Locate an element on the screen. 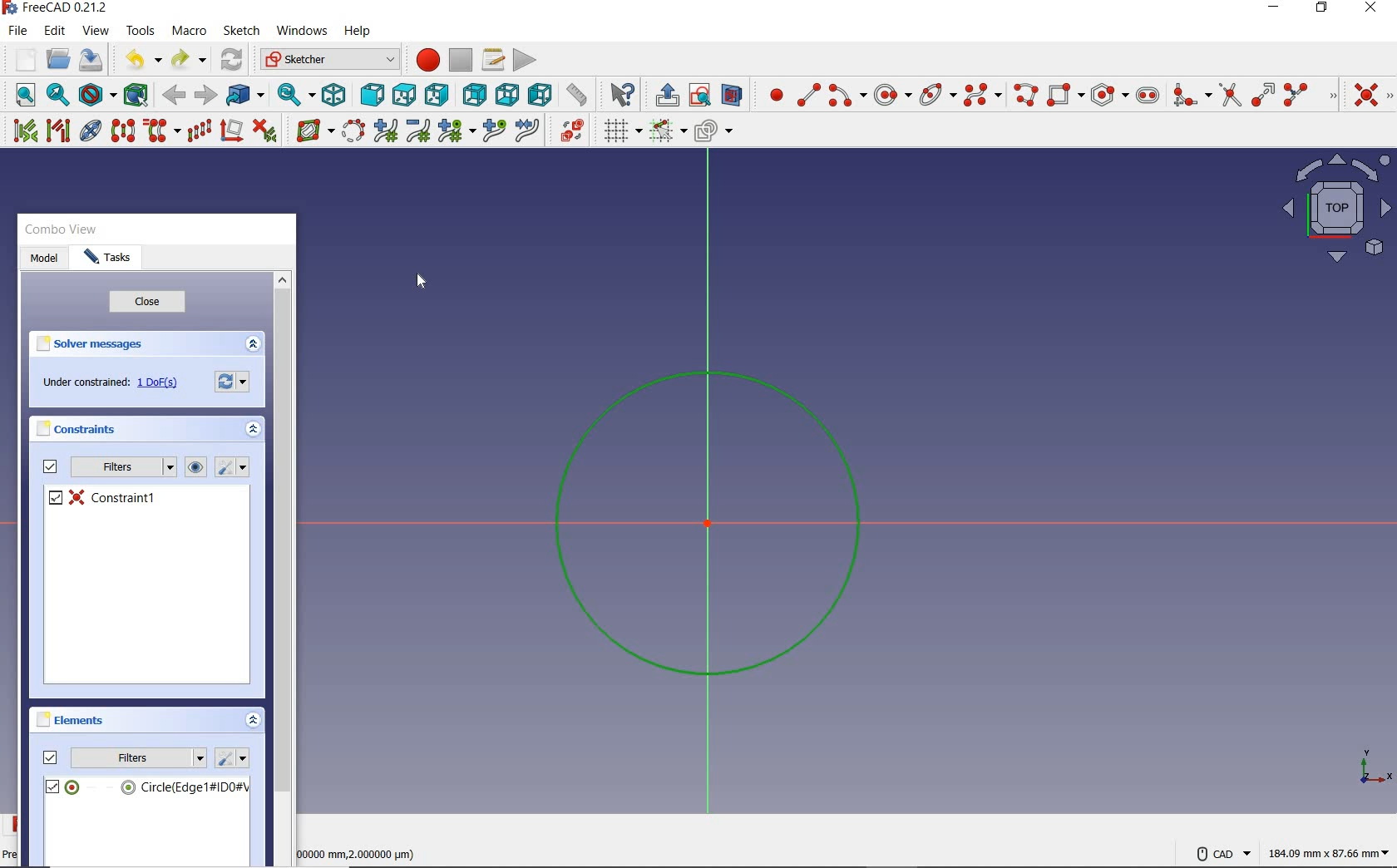  select associated geometry is located at coordinates (59, 131).